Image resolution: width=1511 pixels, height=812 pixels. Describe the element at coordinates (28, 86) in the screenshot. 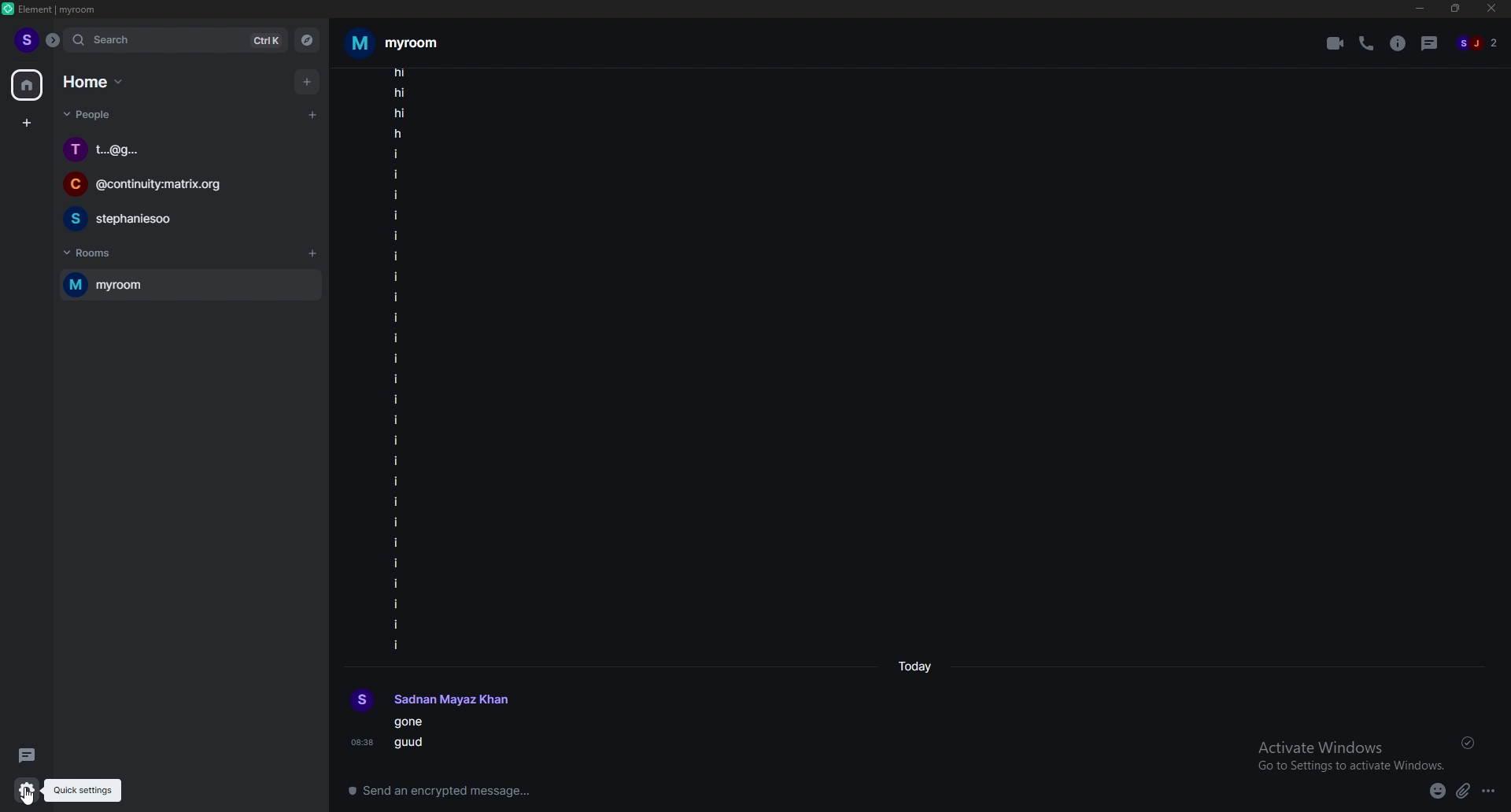

I see `home` at that location.